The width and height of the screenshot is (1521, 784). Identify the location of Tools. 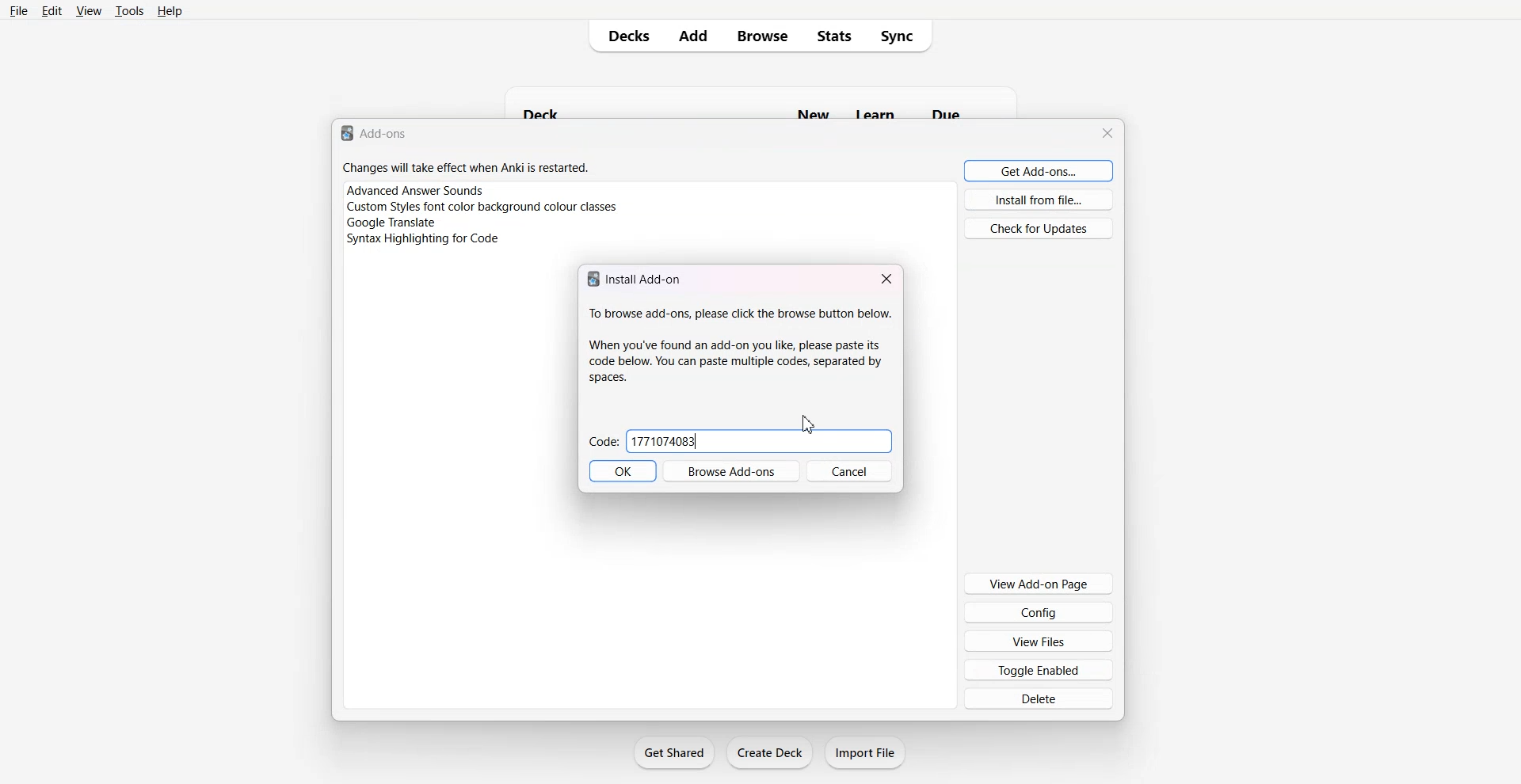
(129, 11).